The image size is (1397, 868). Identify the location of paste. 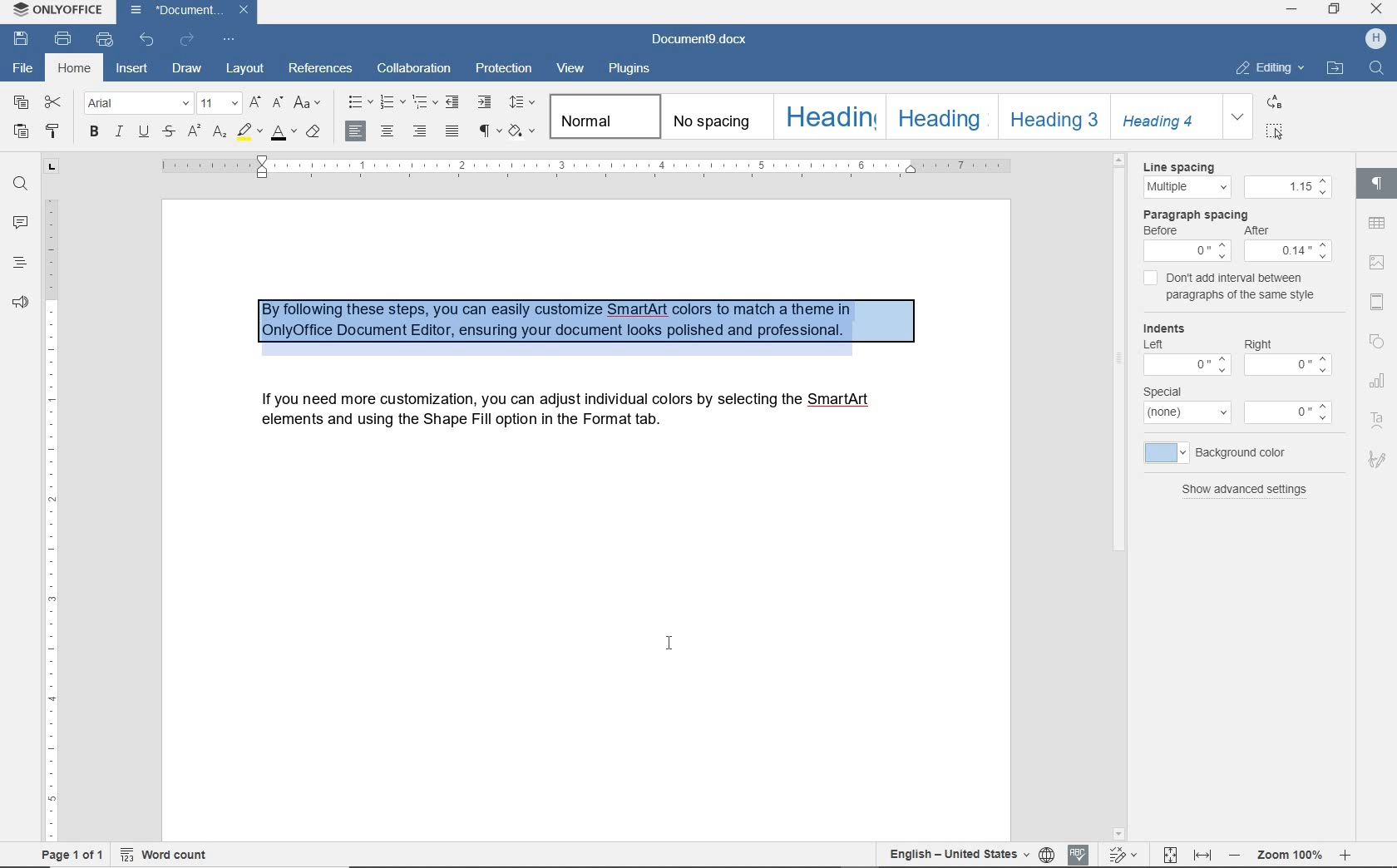
(22, 131).